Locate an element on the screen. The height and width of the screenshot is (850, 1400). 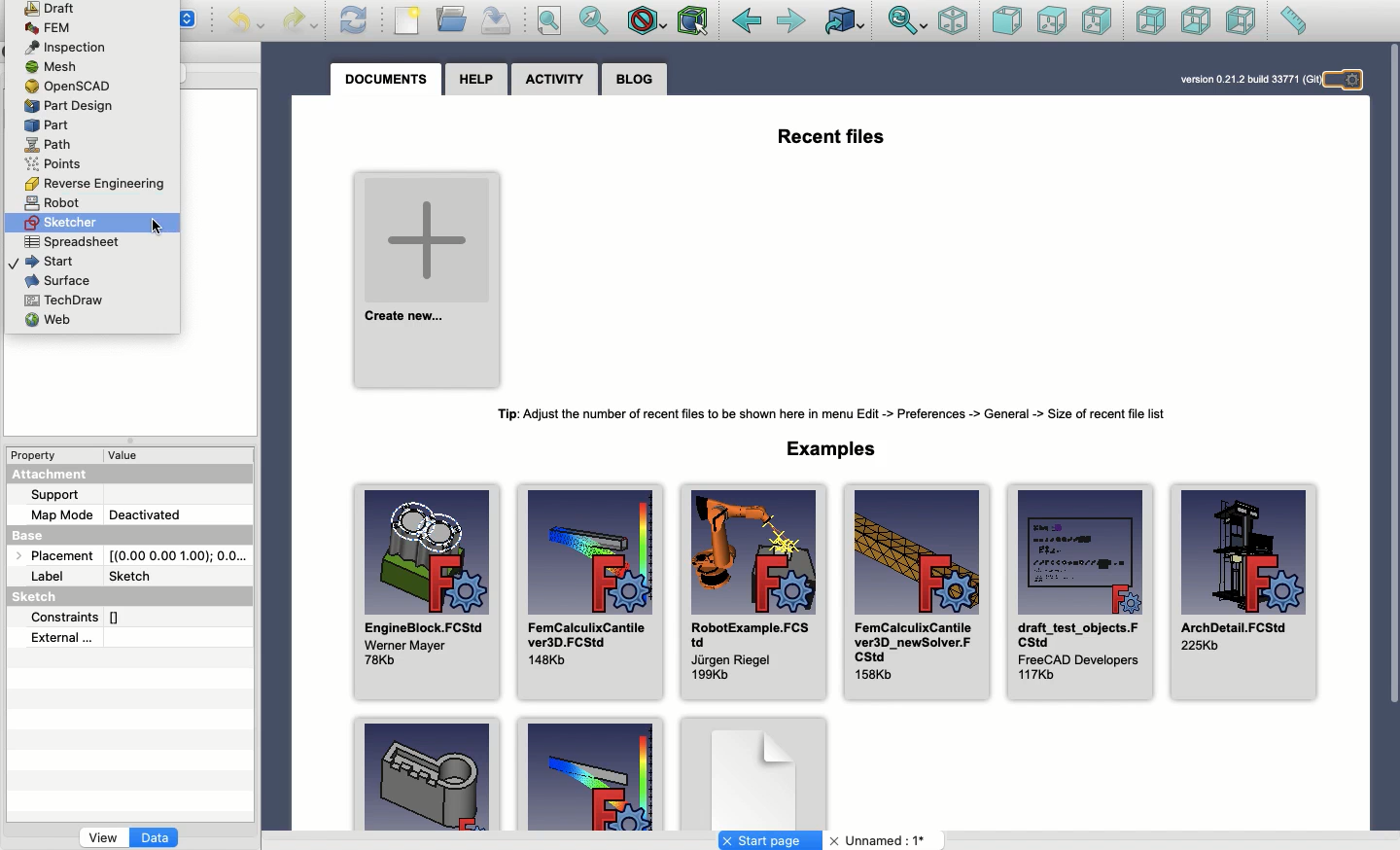
Robot is located at coordinates (49, 203).